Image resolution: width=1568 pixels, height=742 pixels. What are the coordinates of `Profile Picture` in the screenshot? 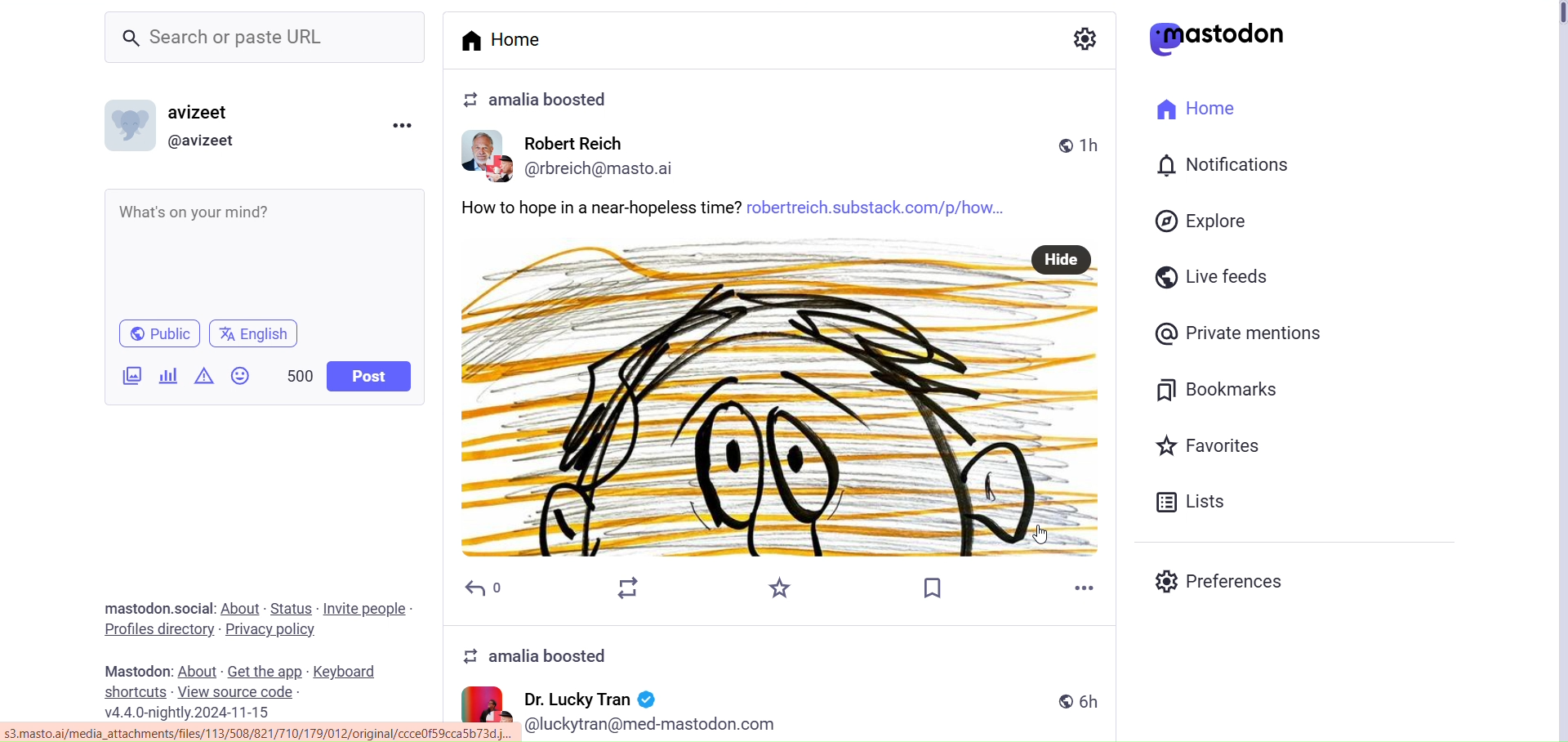 It's located at (133, 124).